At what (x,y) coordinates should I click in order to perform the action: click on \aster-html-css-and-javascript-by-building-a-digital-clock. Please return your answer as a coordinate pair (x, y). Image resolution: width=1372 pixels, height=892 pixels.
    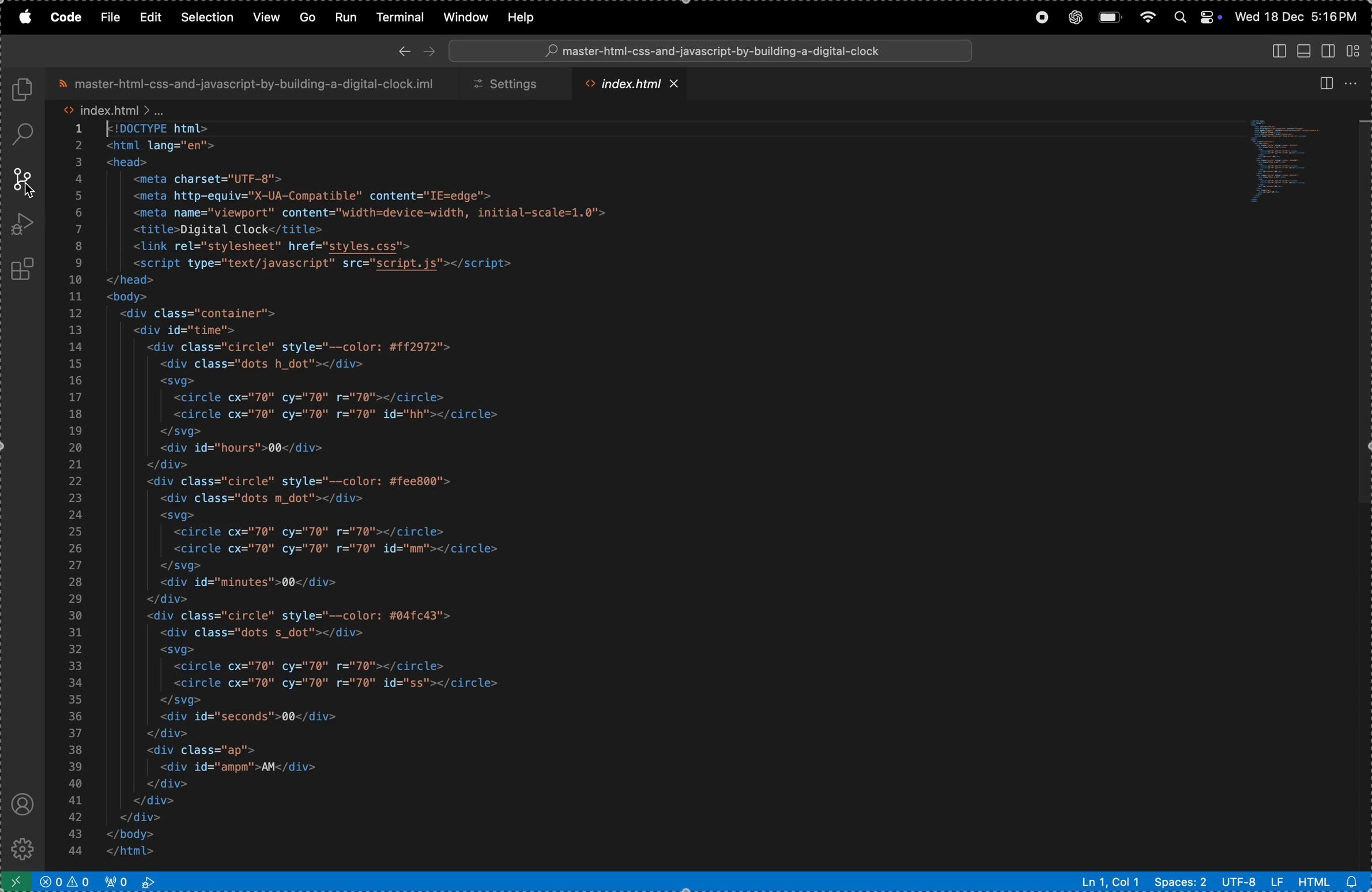
    Looking at the image, I should click on (713, 51).